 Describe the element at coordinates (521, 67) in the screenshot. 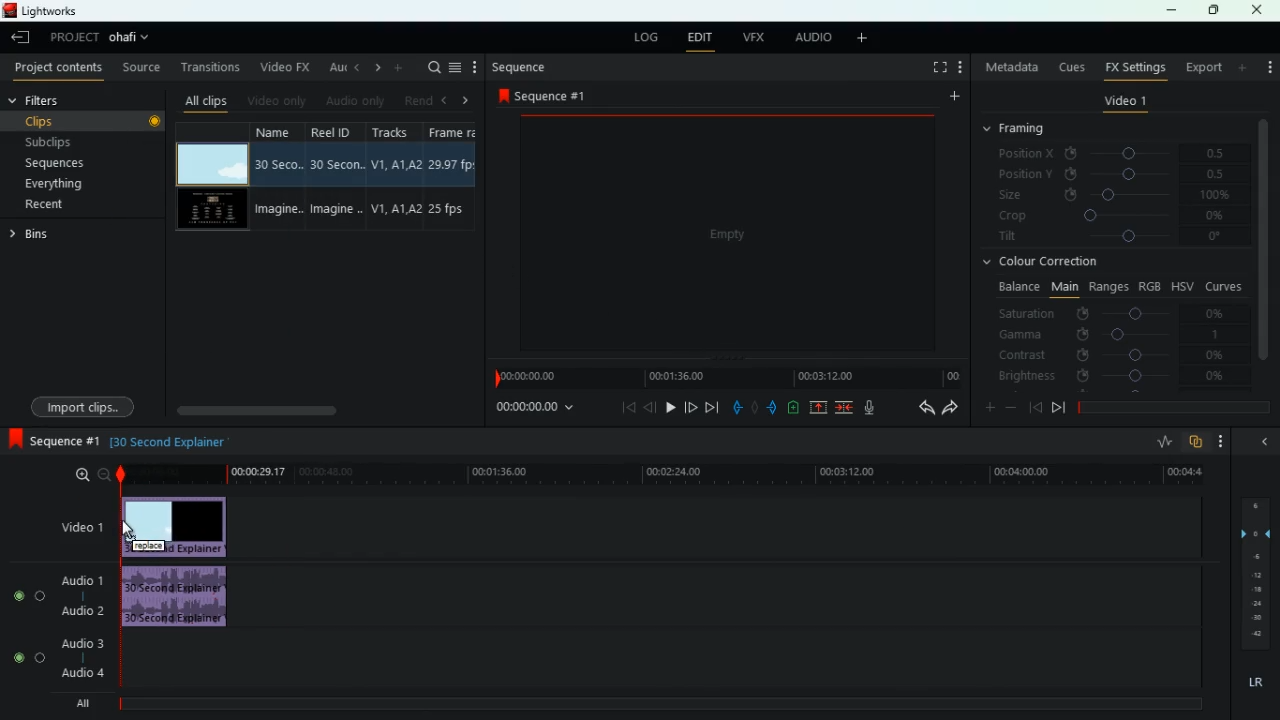

I see `sequence` at that location.